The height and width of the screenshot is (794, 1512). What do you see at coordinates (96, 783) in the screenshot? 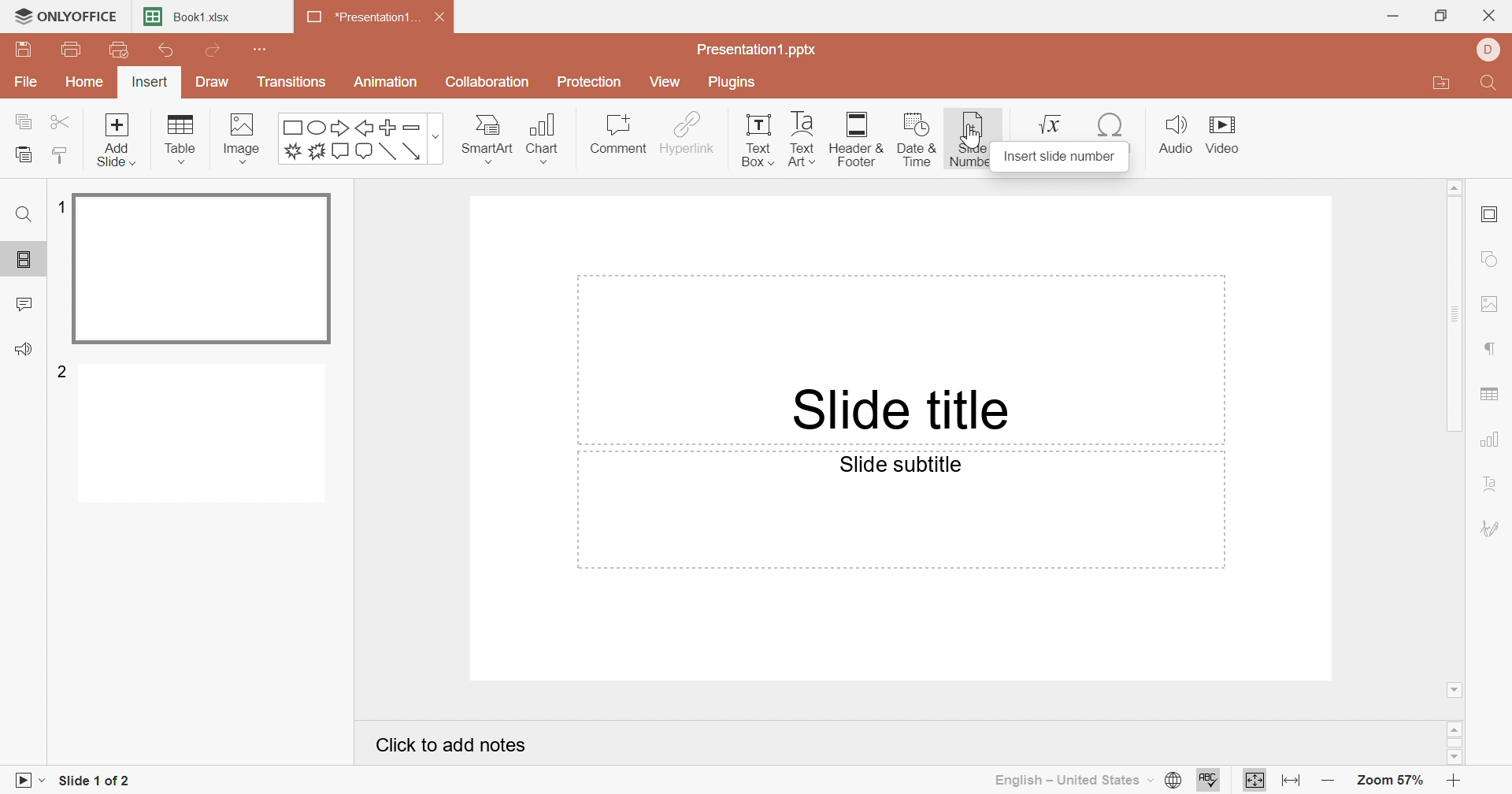
I see `Slide 1 of 2` at bounding box center [96, 783].